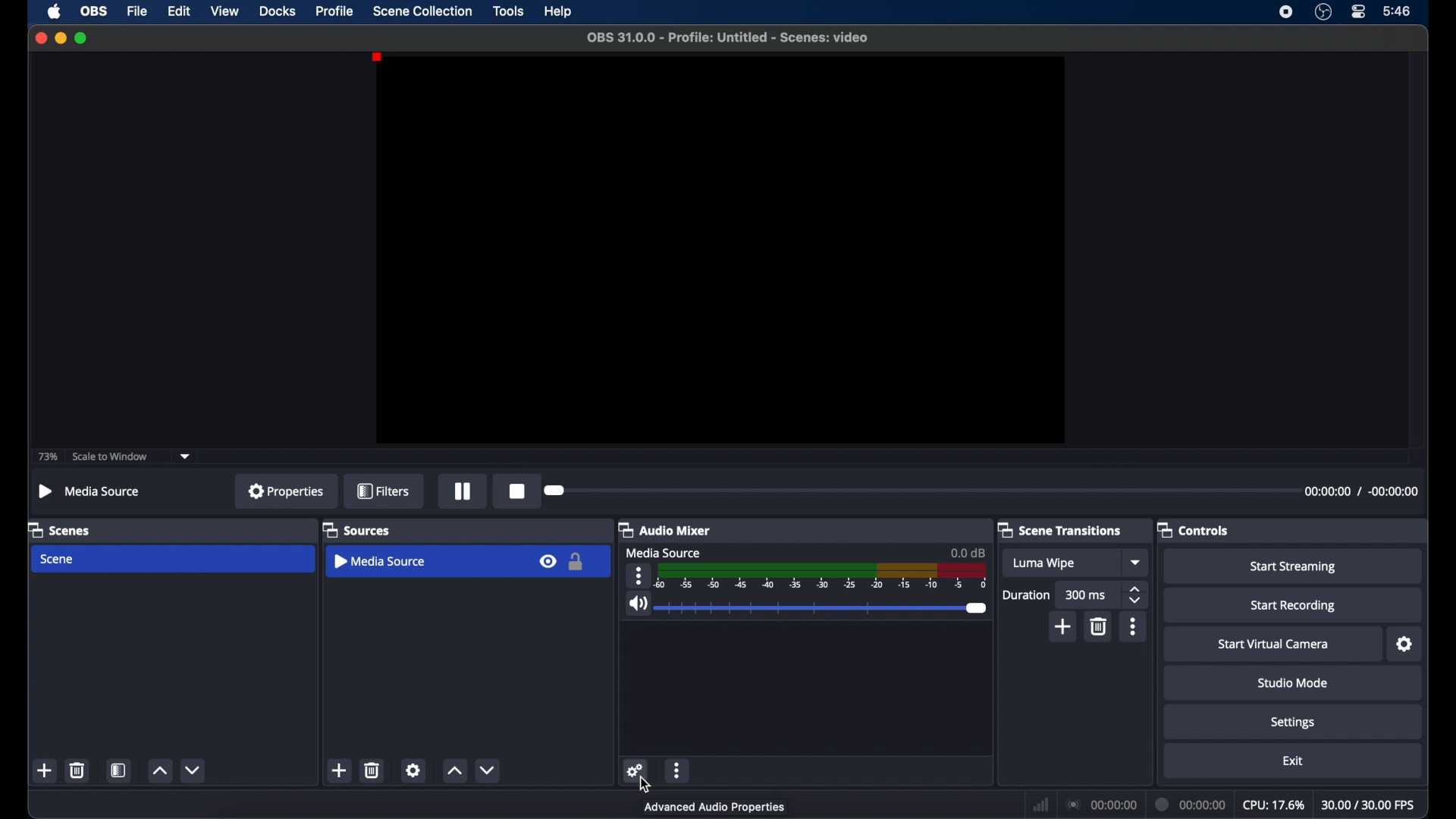 This screenshot has height=819, width=1456. Describe the element at coordinates (1293, 761) in the screenshot. I see `exit` at that location.